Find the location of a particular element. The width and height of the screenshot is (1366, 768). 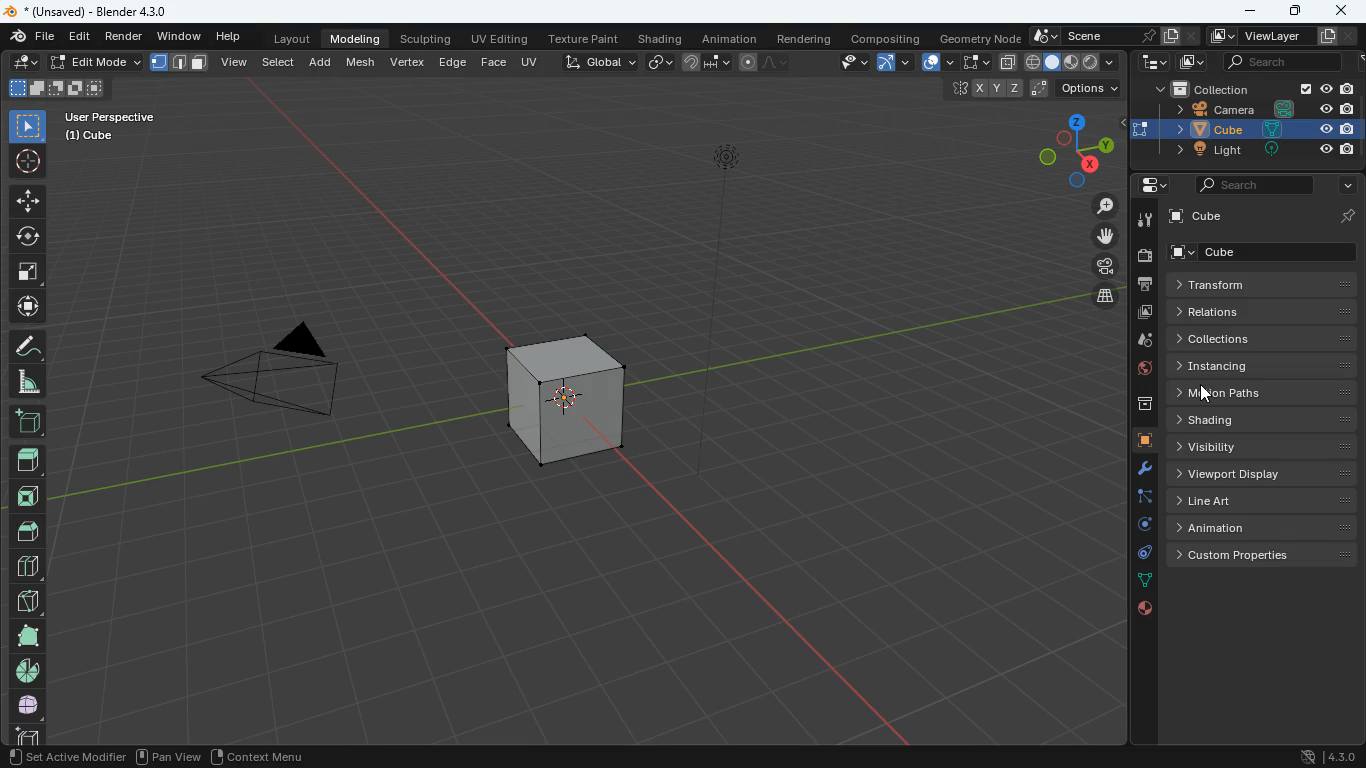

whole is located at coordinates (26, 635).